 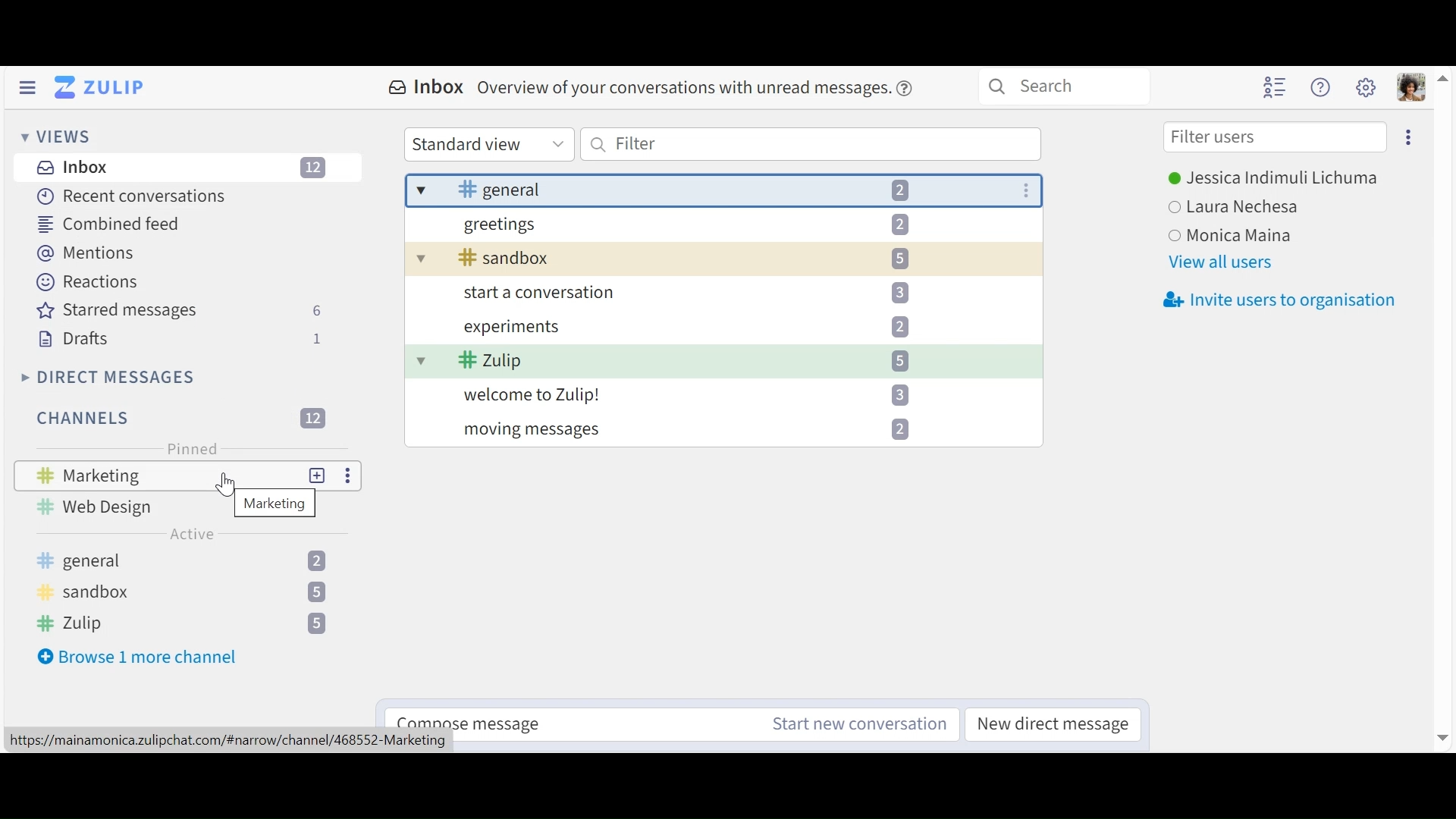 What do you see at coordinates (705, 425) in the screenshot?
I see `moving messages` at bounding box center [705, 425].